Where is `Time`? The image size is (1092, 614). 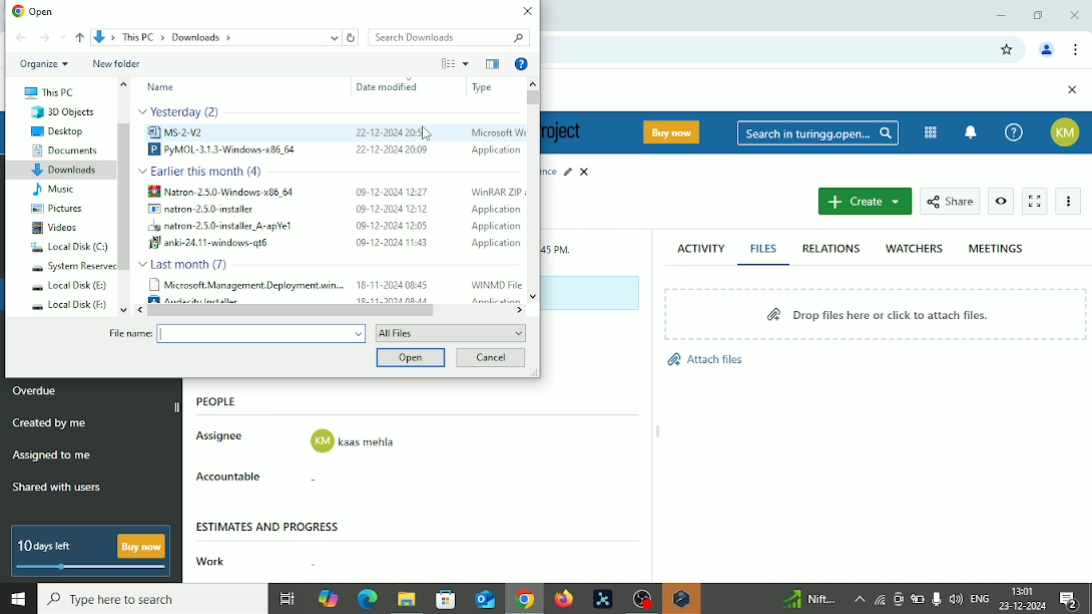 Time is located at coordinates (1024, 589).